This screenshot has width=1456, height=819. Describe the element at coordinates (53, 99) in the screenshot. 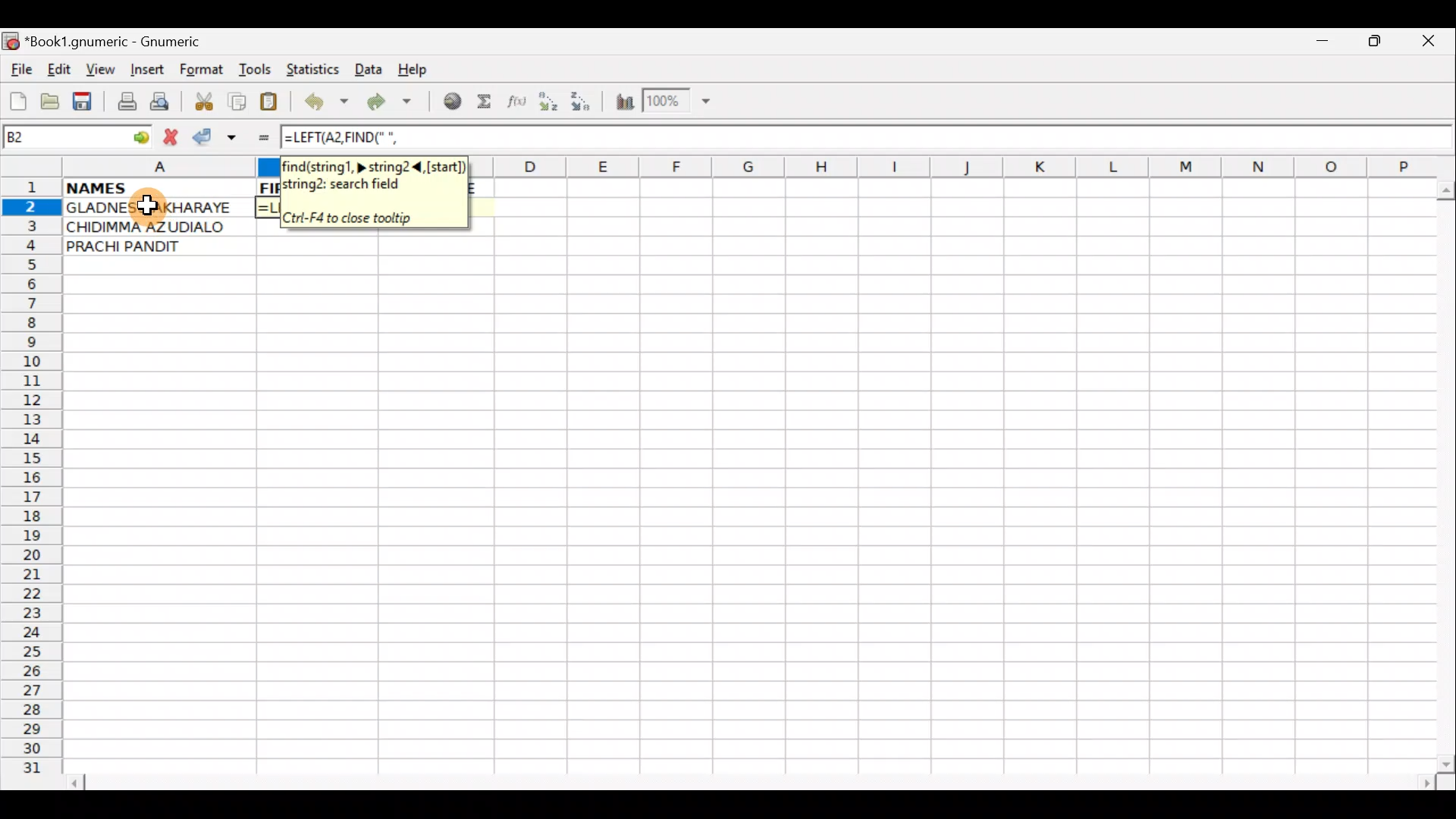

I see `Open a file` at that location.